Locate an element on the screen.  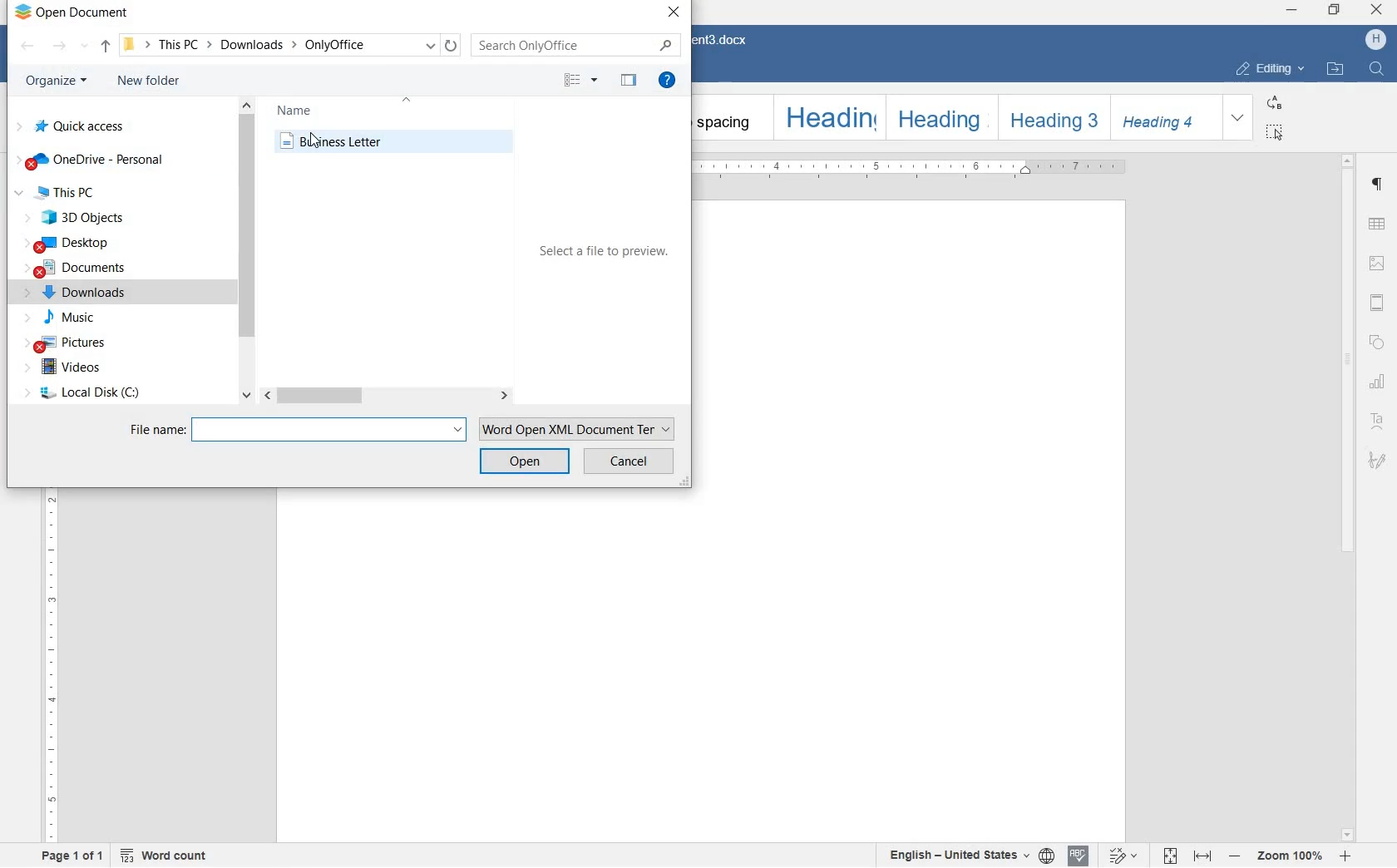
documents is located at coordinates (76, 266).